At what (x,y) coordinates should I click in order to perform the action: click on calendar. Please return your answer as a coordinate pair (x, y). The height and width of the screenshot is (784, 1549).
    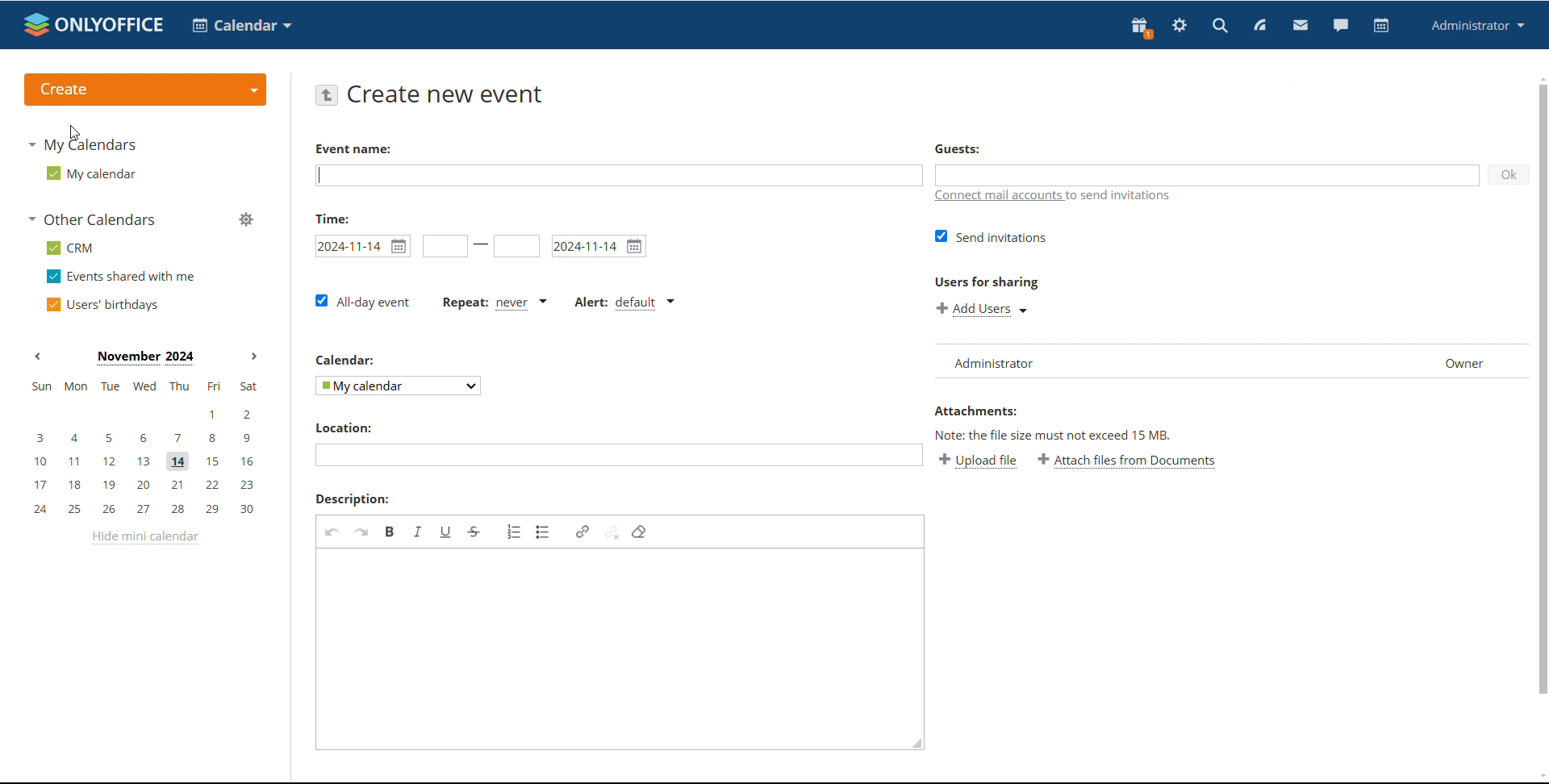
    Looking at the image, I should click on (347, 360).